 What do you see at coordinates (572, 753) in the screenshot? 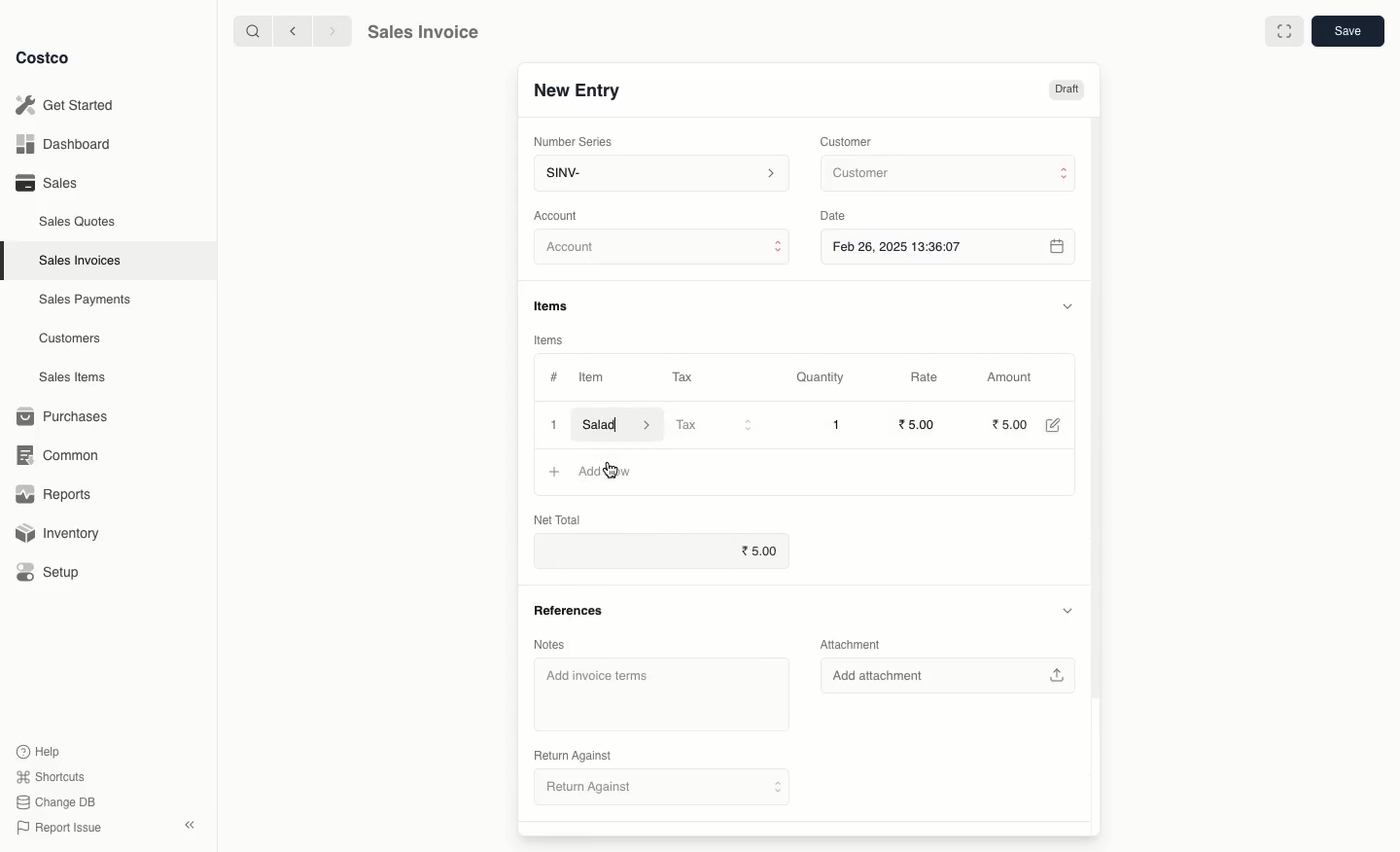
I see `‘Return Against` at bounding box center [572, 753].